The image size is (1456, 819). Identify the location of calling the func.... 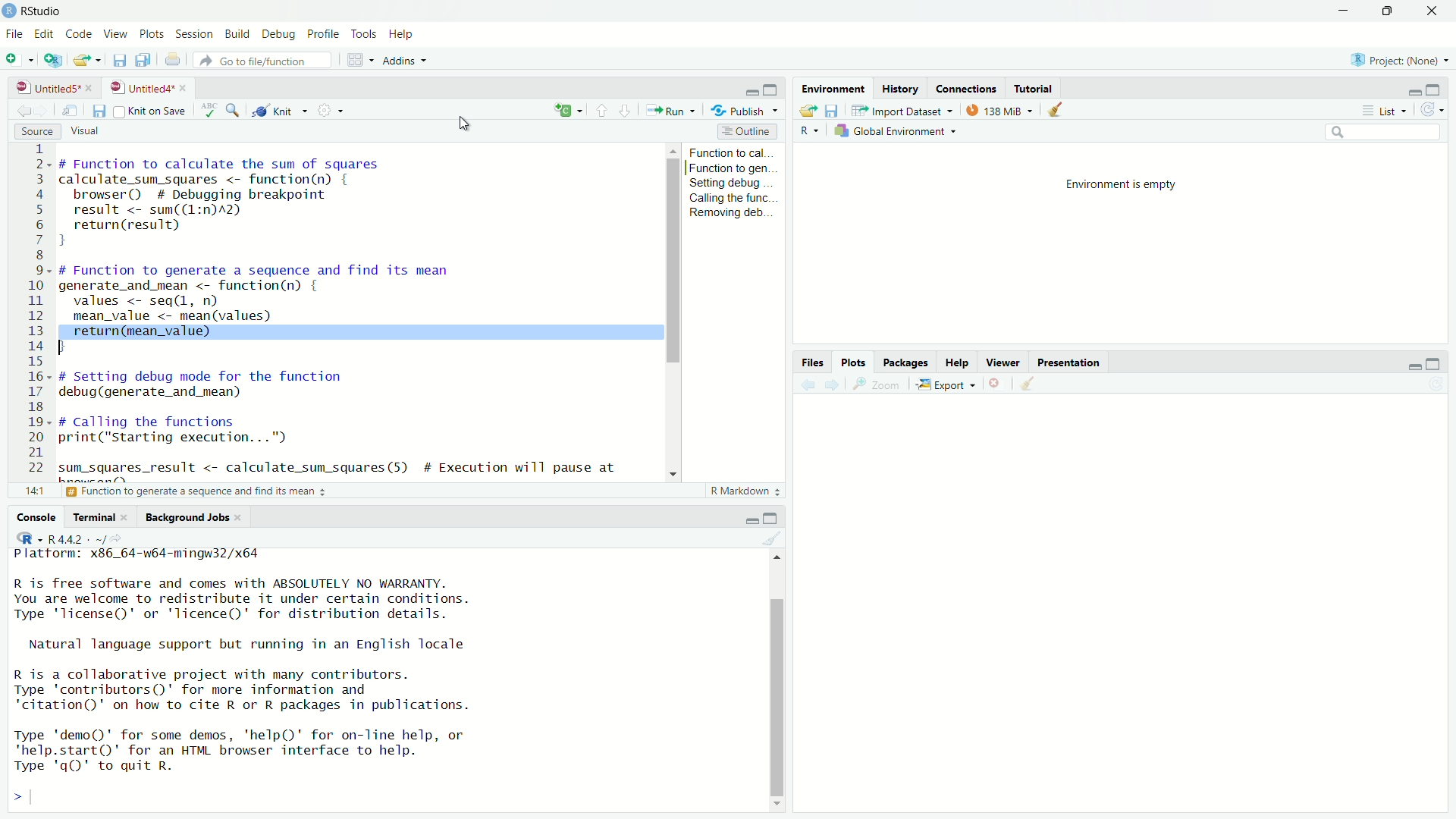
(736, 199).